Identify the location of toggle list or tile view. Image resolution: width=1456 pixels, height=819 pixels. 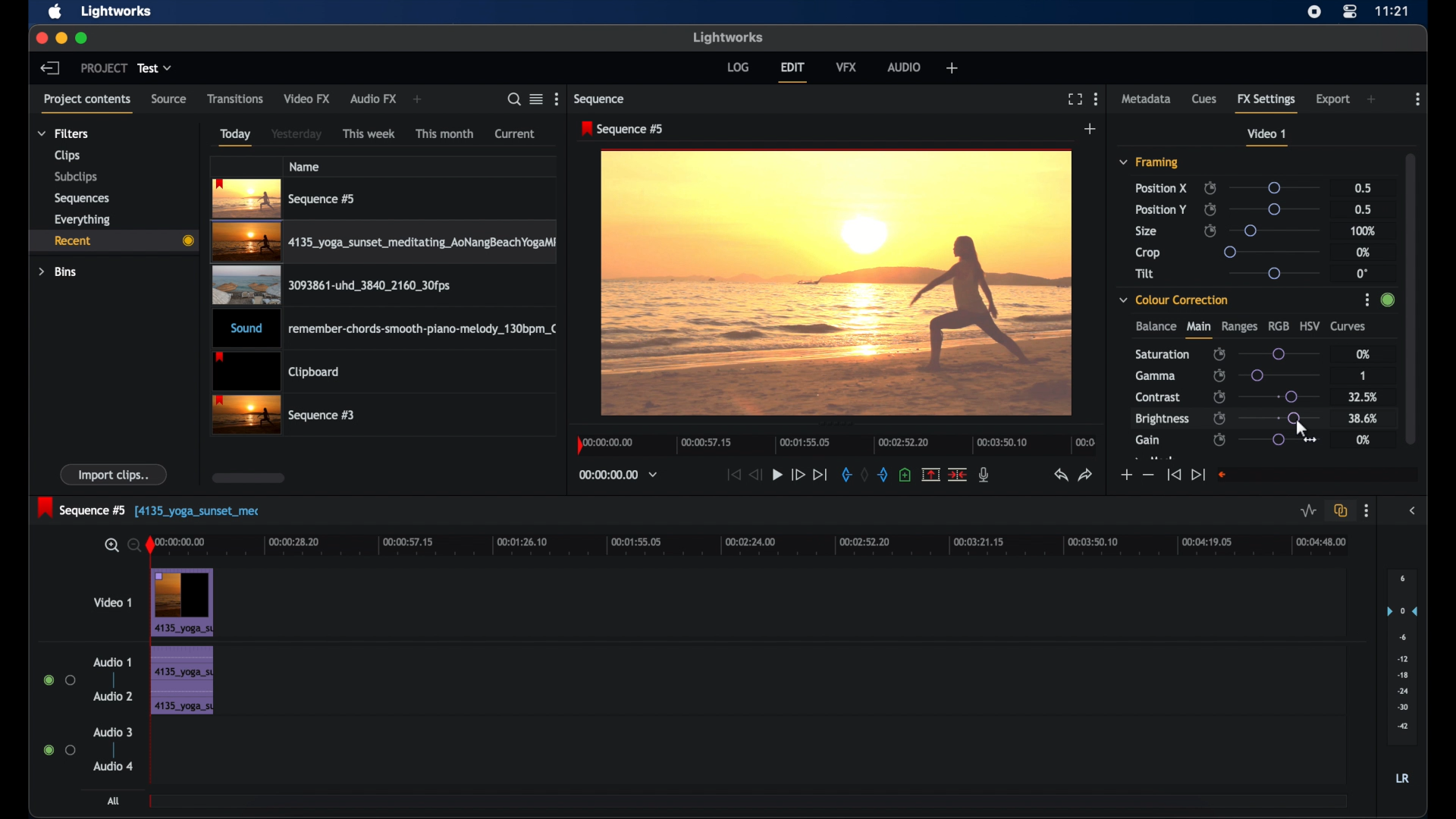
(536, 99).